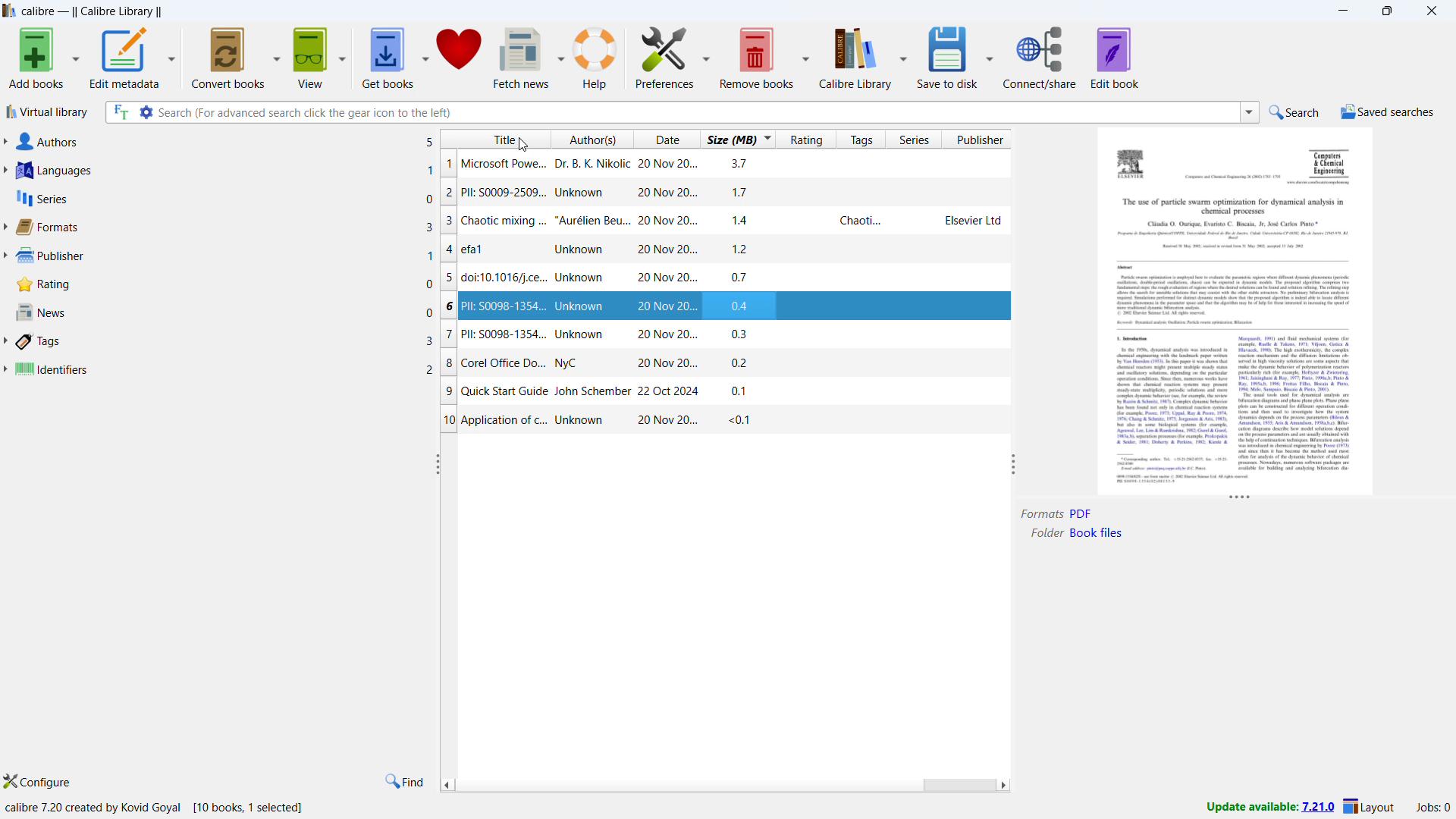 This screenshot has width=1456, height=819. I want to click on <0.1, so click(745, 421).